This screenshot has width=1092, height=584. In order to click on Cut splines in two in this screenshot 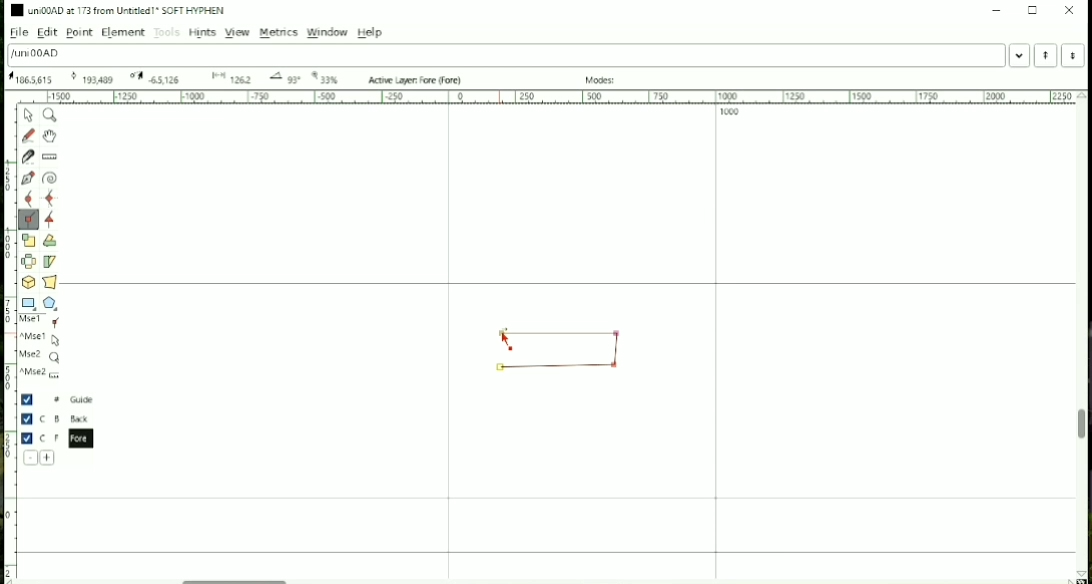, I will do `click(28, 157)`.